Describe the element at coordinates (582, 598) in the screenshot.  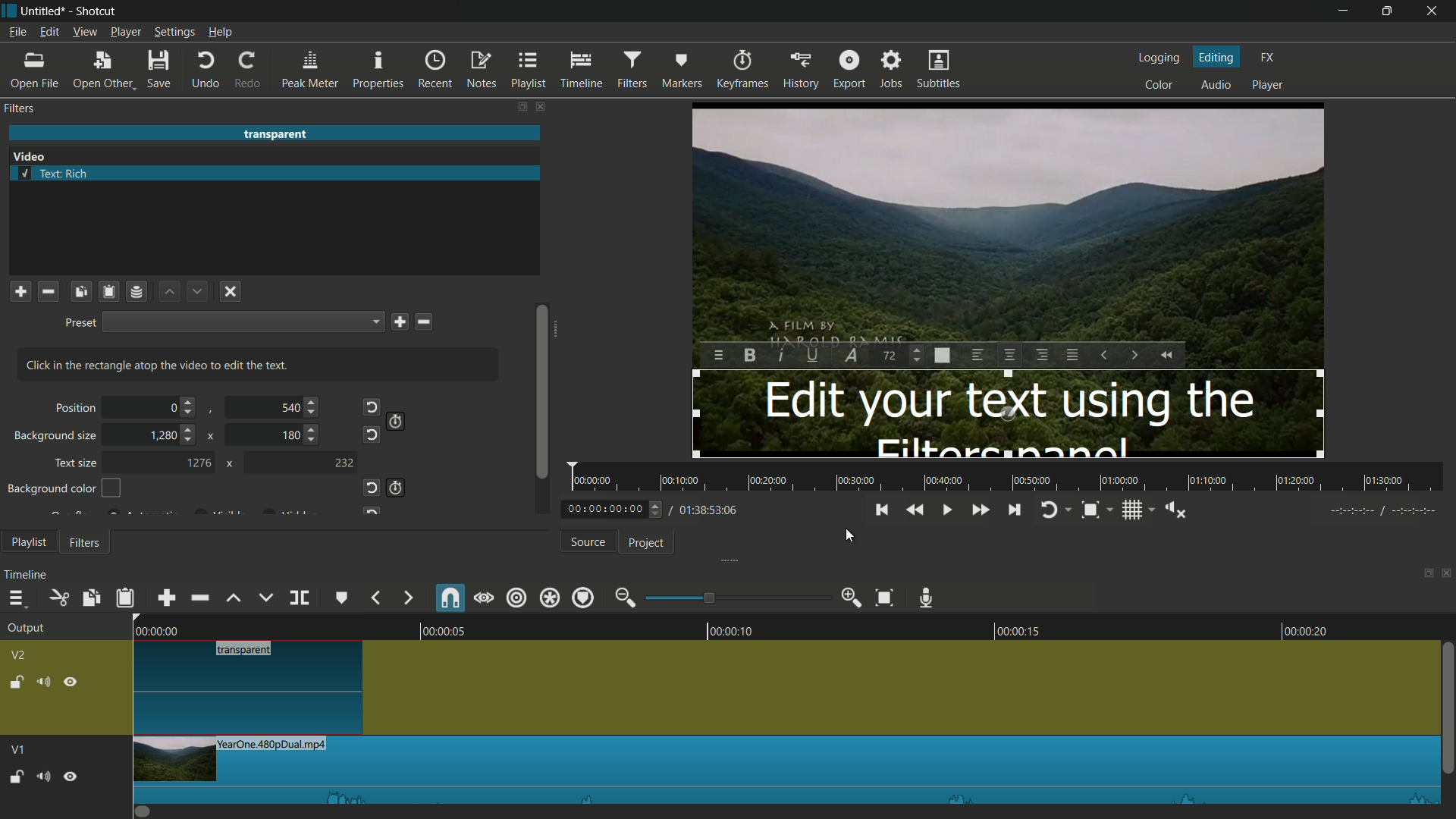
I see `ripple markers` at that location.